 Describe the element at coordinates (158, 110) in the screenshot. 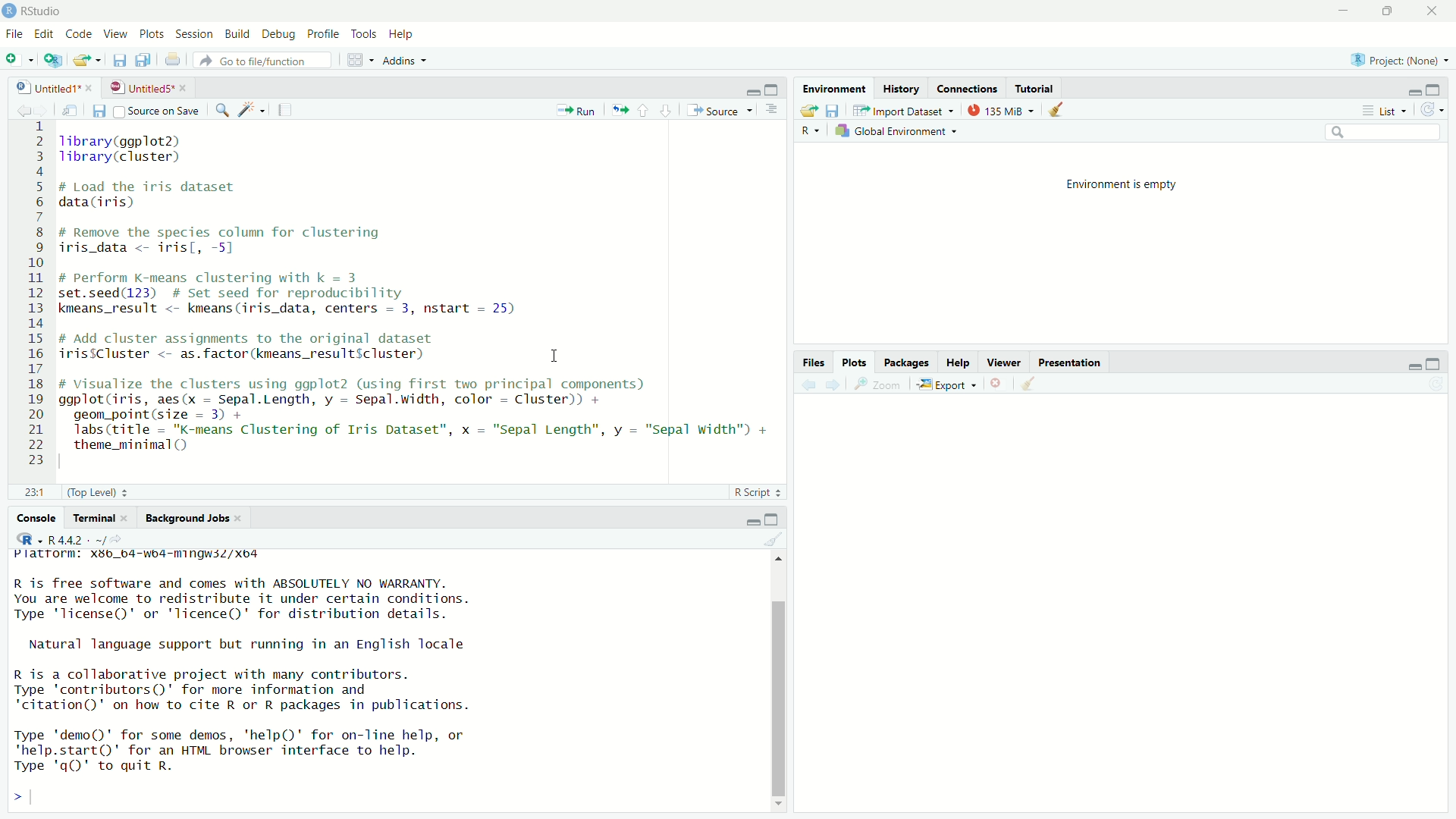

I see `source on save` at that location.